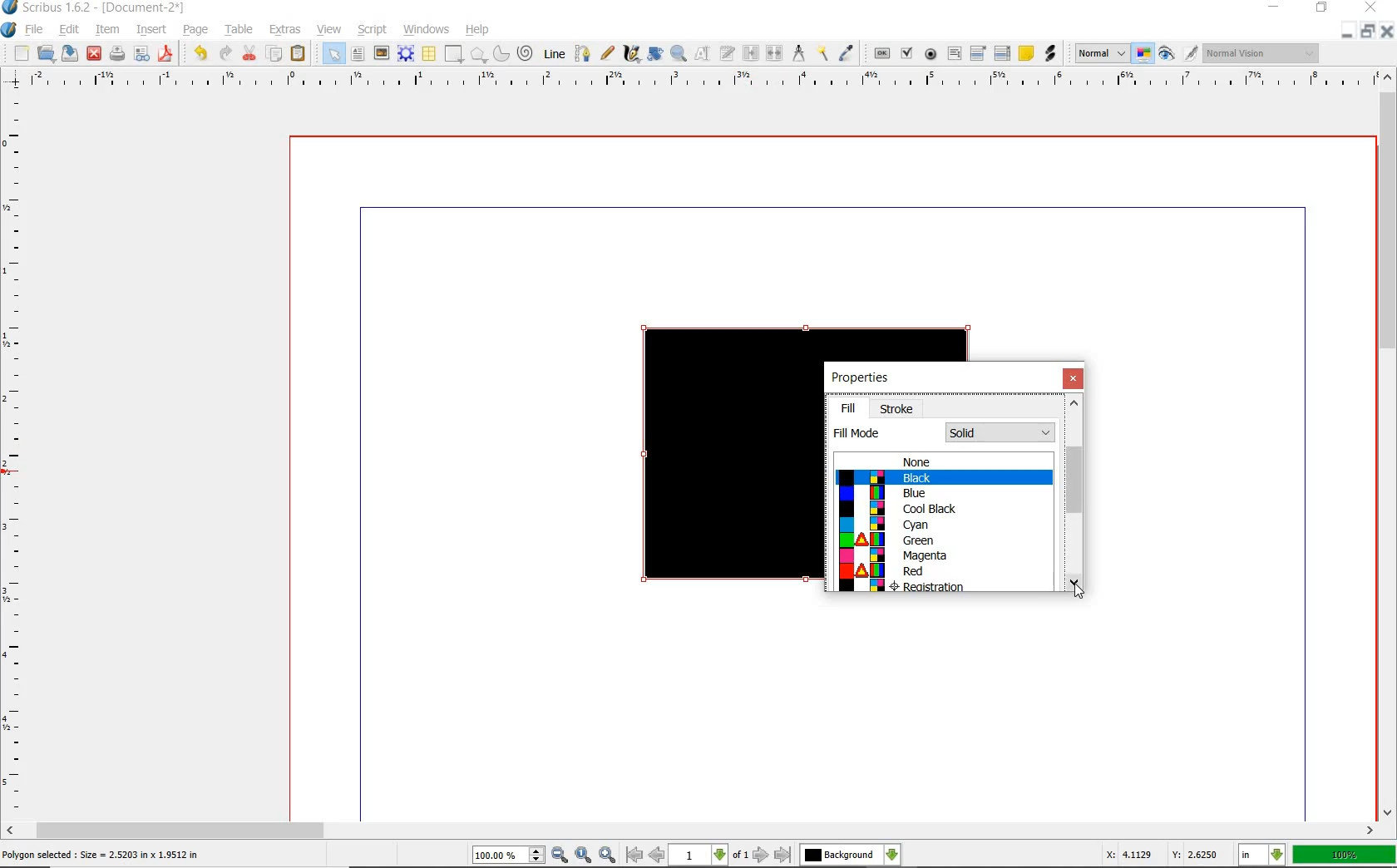 The height and width of the screenshot is (868, 1397). What do you see at coordinates (1345, 36) in the screenshot?
I see `MINIMIZE` at bounding box center [1345, 36].